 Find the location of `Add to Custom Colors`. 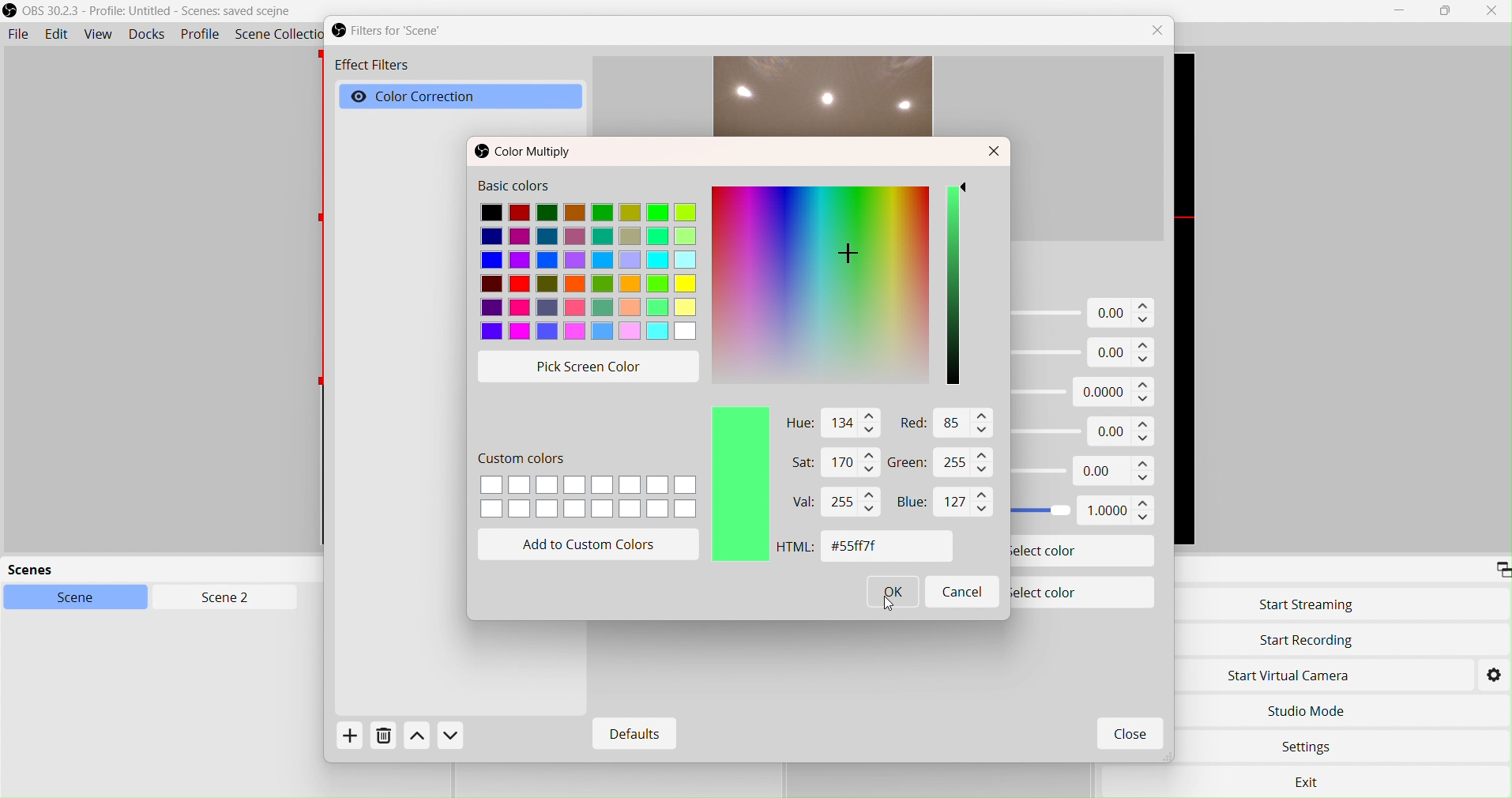

Add to Custom Colors is located at coordinates (592, 545).